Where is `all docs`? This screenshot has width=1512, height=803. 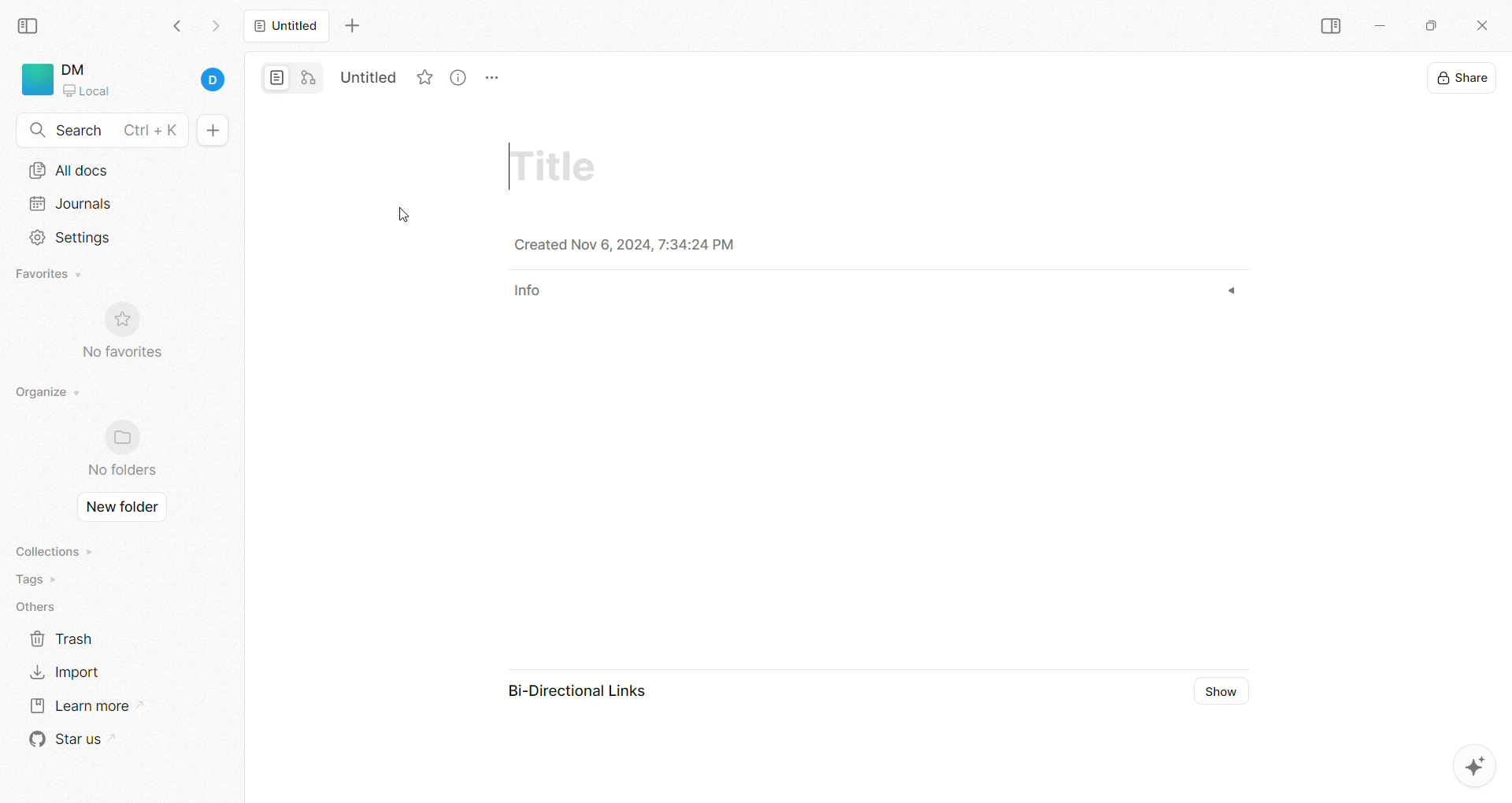 all docs is located at coordinates (69, 170).